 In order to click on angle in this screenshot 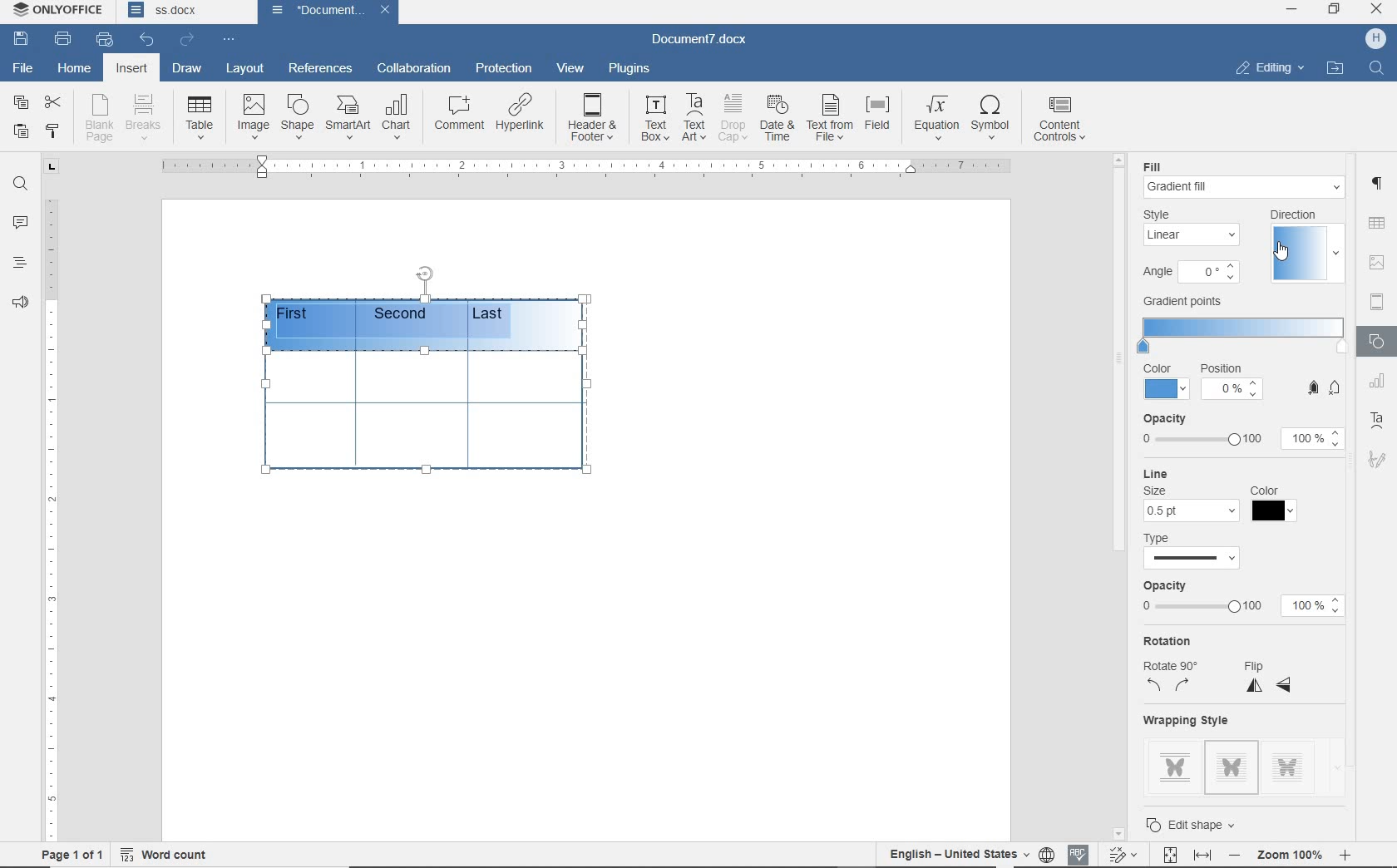, I will do `click(1188, 274)`.